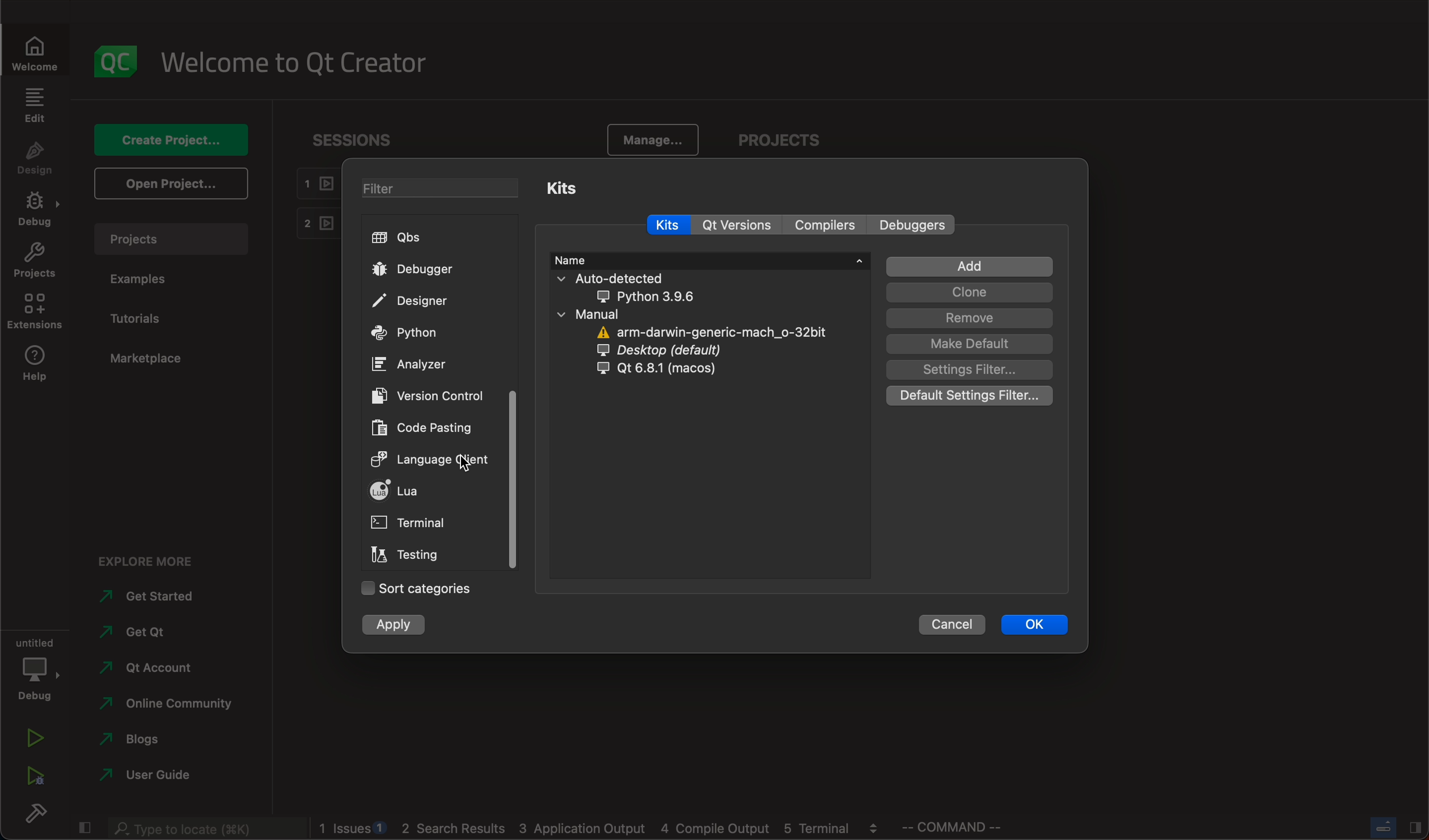 The image size is (1429, 840). I want to click on python, so click(412, 333).